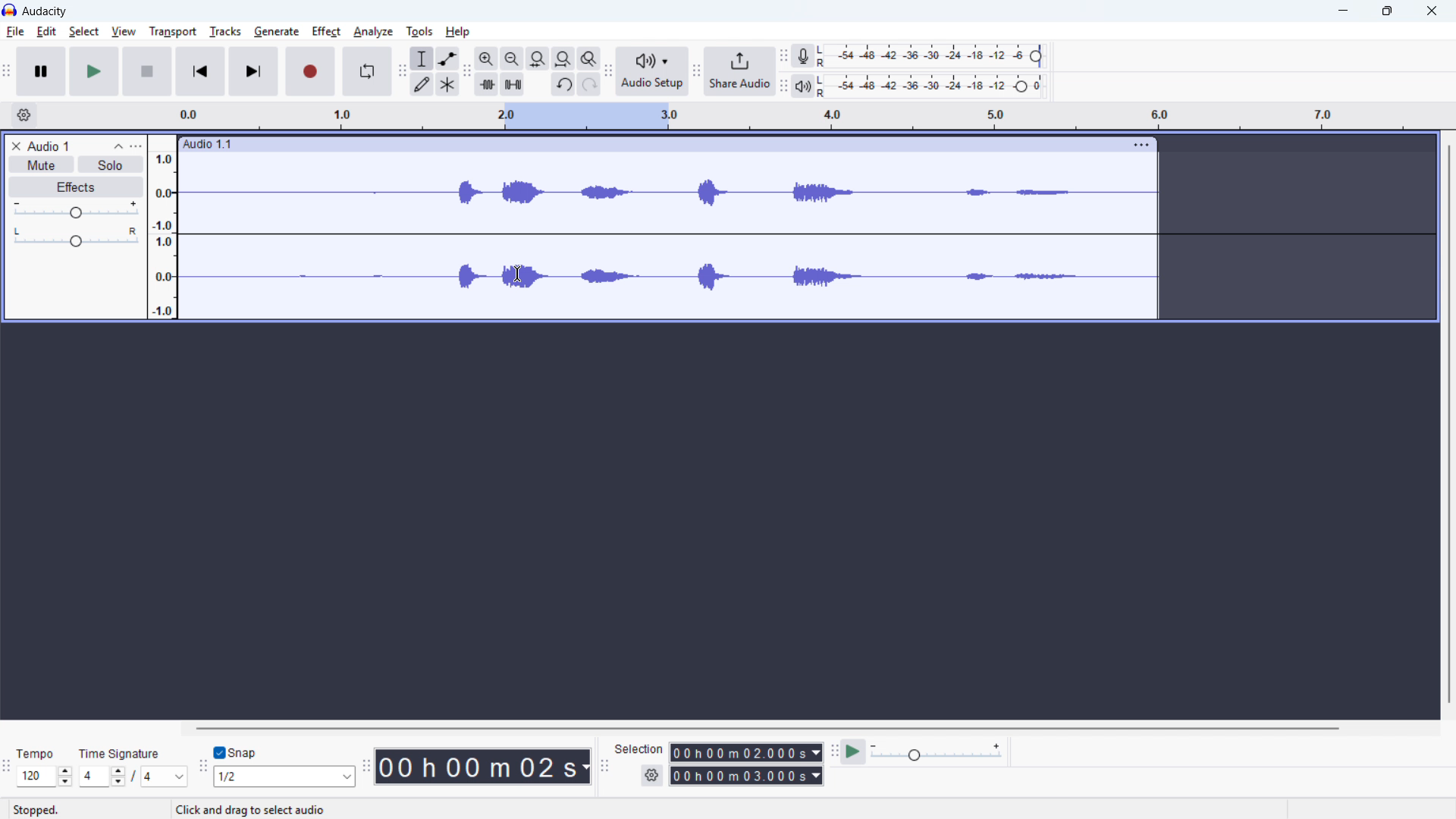 The width and height of the screenshot is (1456, 819). What do you see at coordinates (45, 11) in the screenshot?
I see `audacity` at bounding box center [45, 11].